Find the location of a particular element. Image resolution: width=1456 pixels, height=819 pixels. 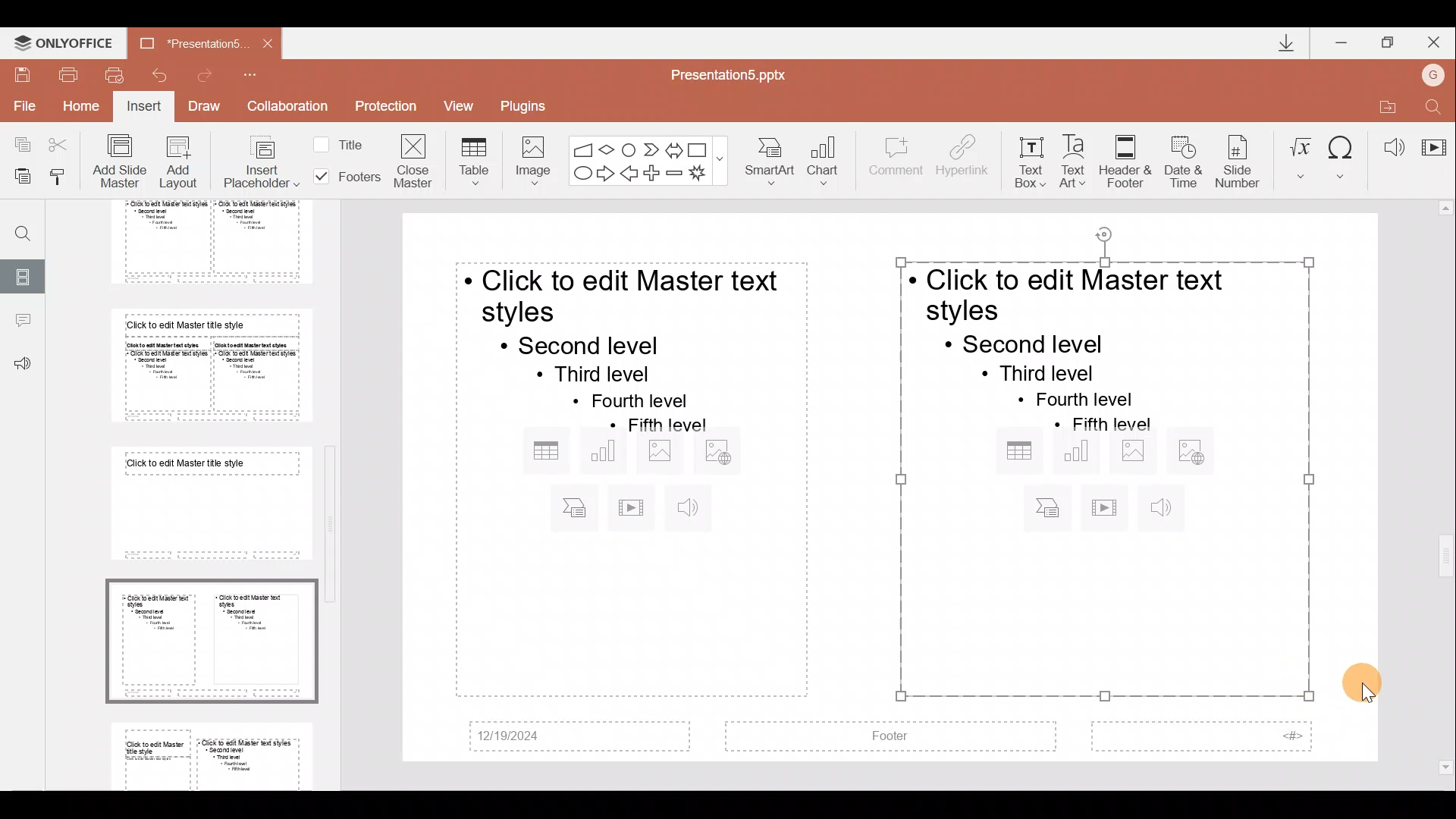

ONLYOFFICE is located at coordinates (63, 39).